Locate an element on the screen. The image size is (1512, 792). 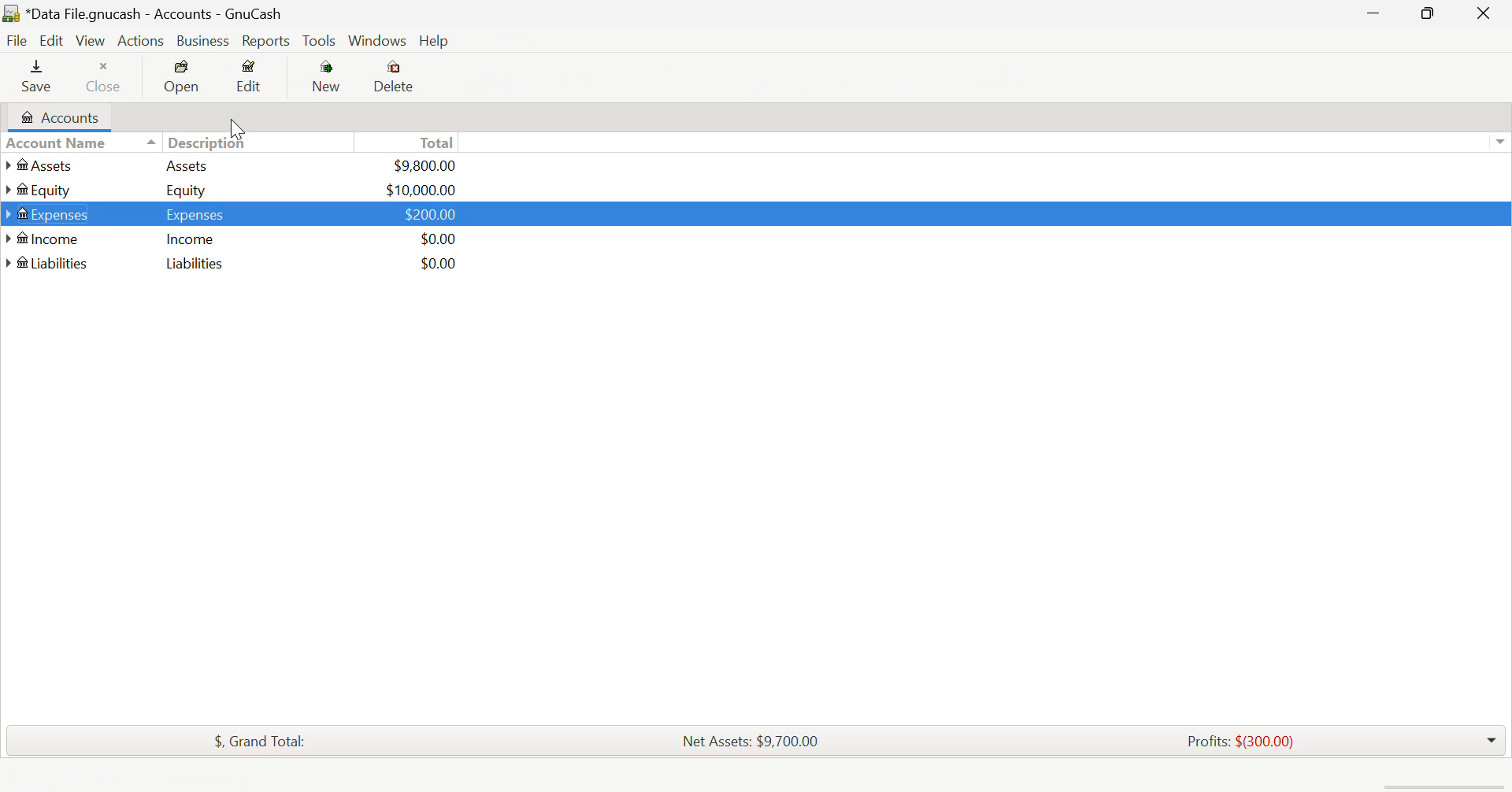
Restore Down is located at coordinates (1371, 12).